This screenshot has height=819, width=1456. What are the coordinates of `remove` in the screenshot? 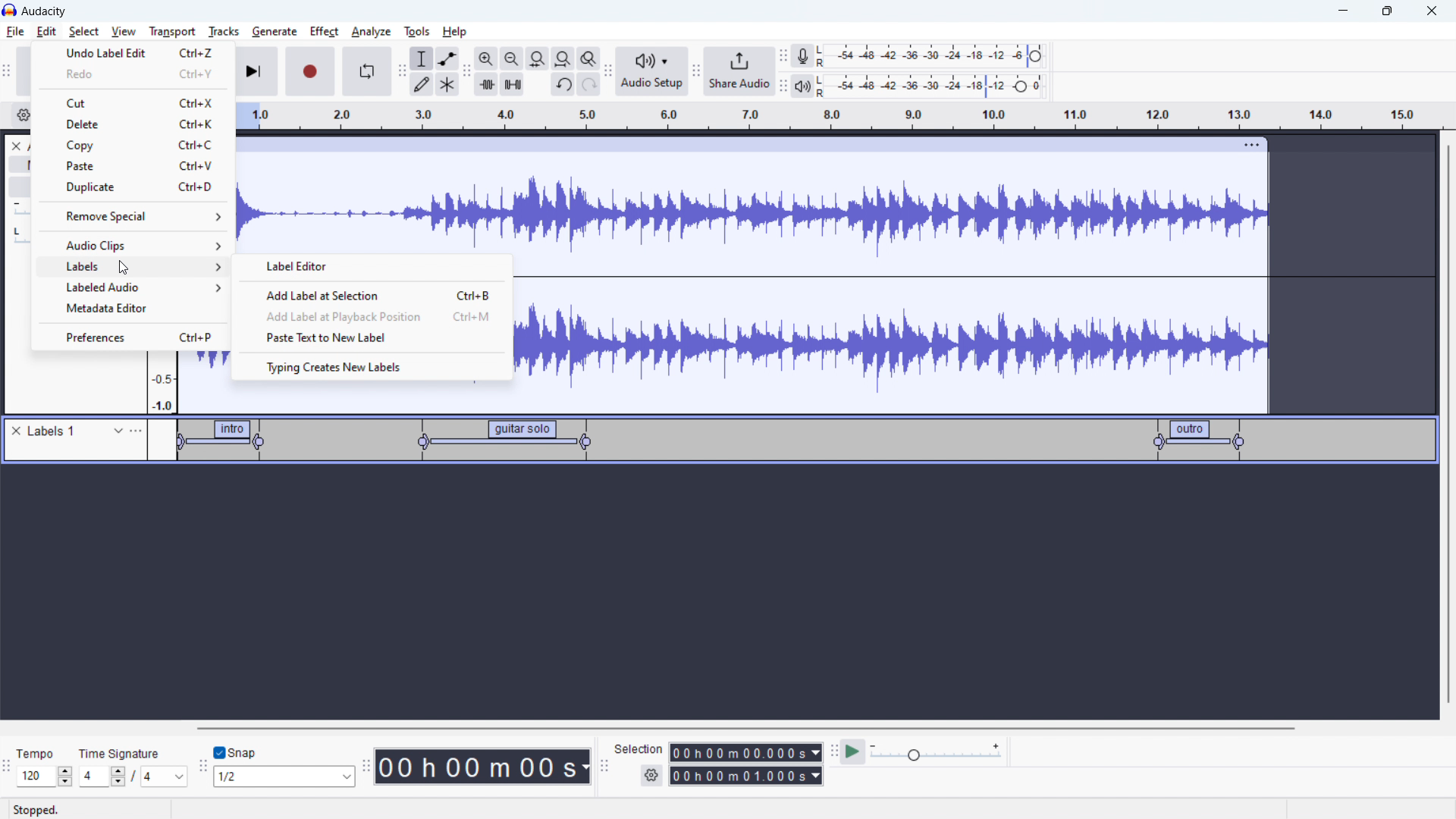 It's located at (19, 431).